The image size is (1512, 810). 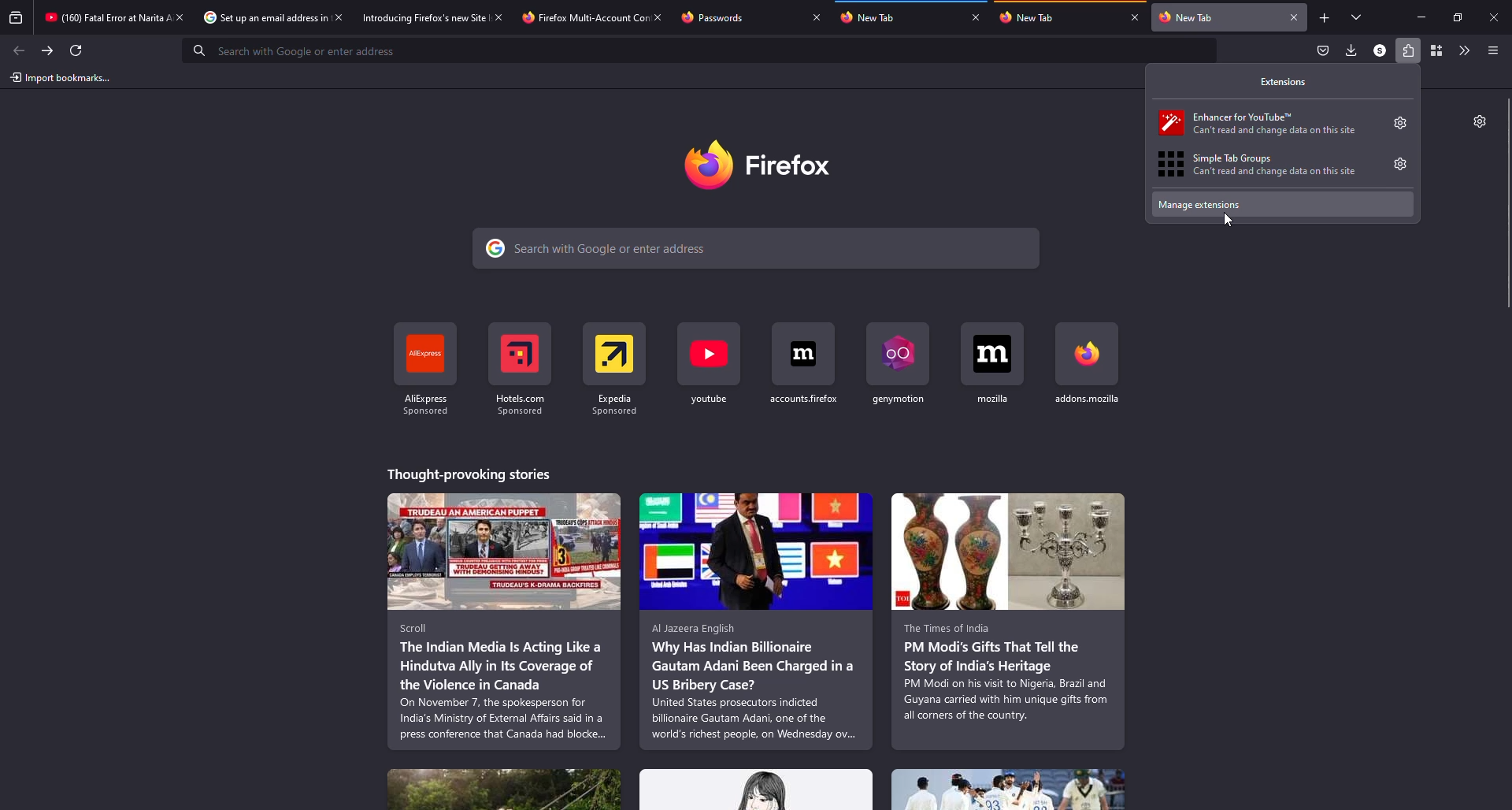 What do you see at coordinates (1269, 164) in the screenshot?
I see `simple tab` at bounding box center [1269, 164].